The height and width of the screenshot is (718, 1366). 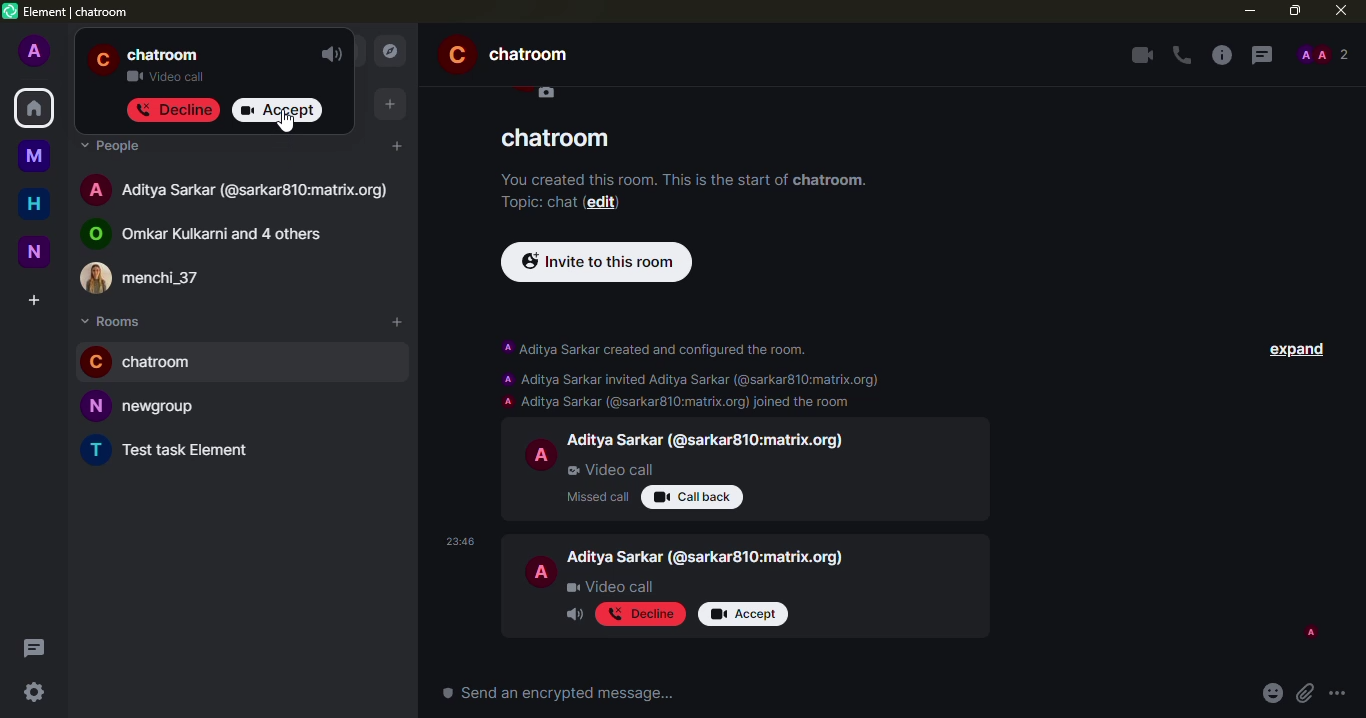 What do you see at coordinates (572, 616) in the screenshot?
I see `sound` at bounding box center [572, 616].